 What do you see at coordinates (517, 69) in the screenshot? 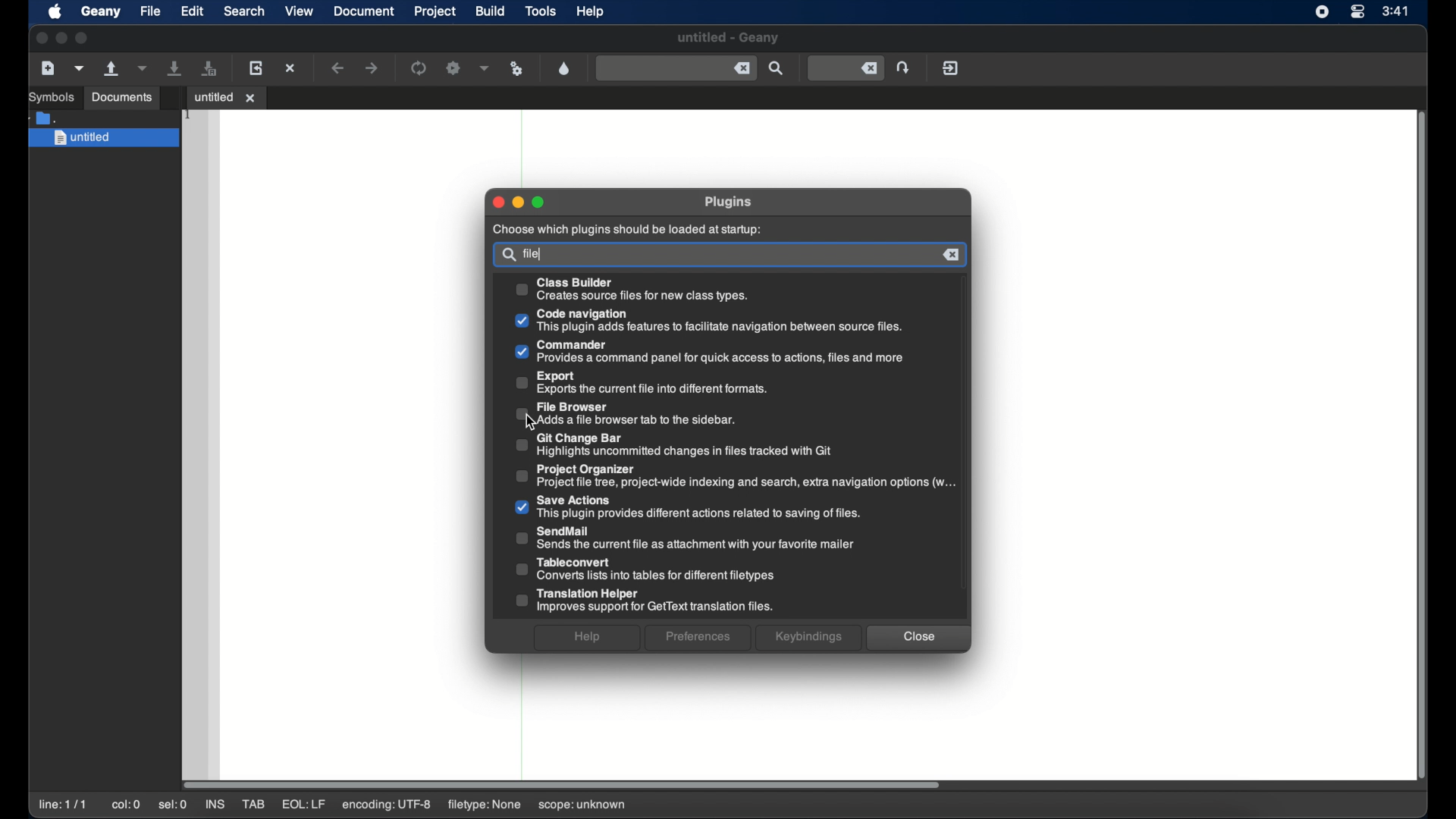
I see `run or view current file` at bounding box center [517, 69].